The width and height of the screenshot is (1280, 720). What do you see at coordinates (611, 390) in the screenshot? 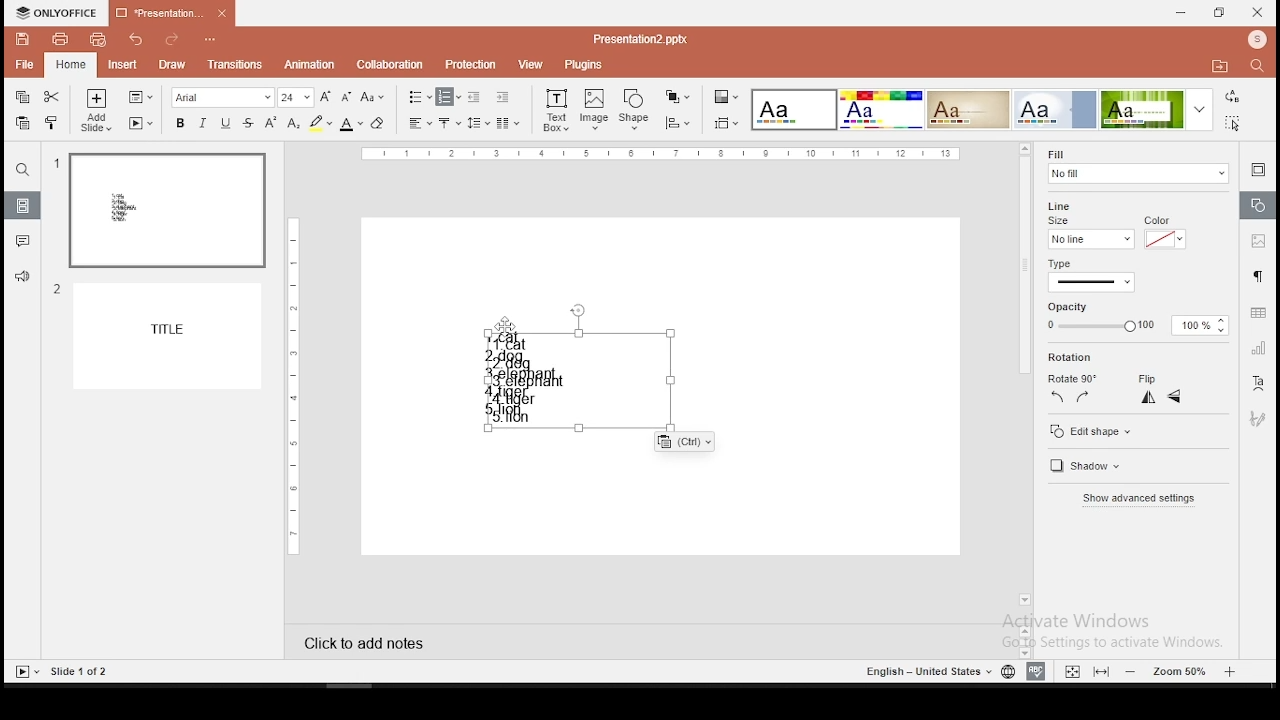
I see `text box` at bounding box center [611, 390].